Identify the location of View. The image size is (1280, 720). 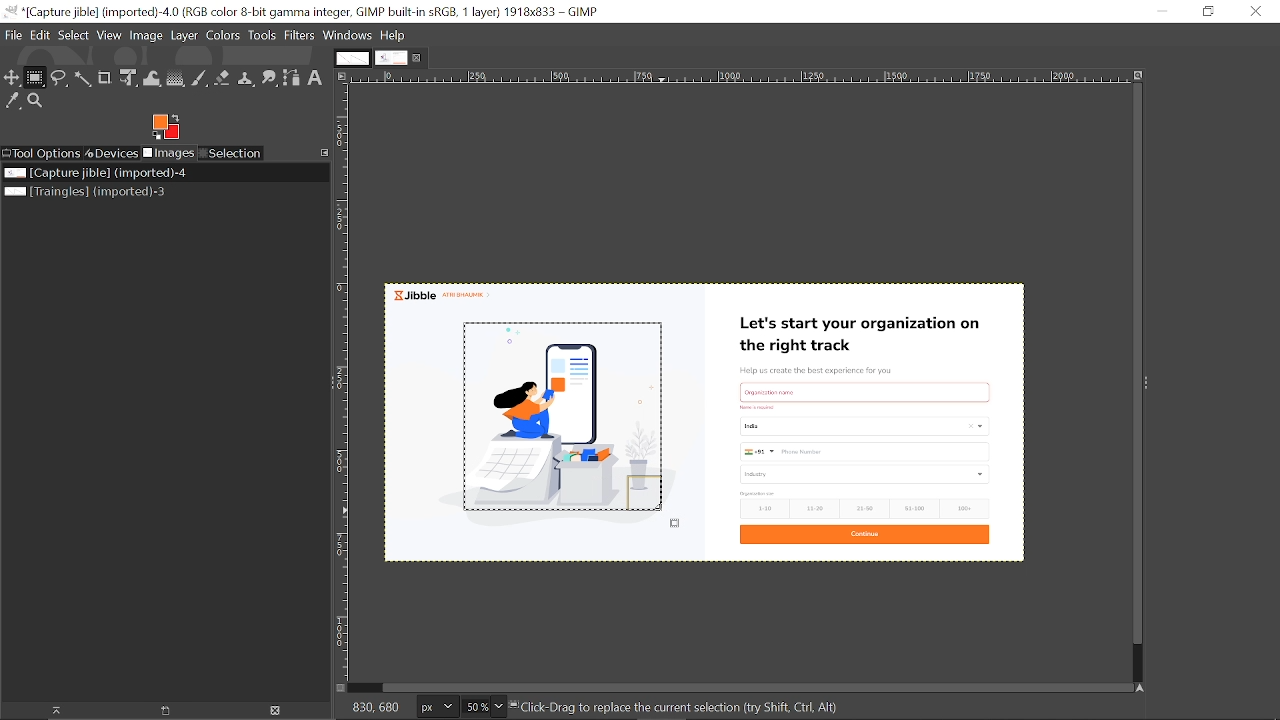
(110, 36).